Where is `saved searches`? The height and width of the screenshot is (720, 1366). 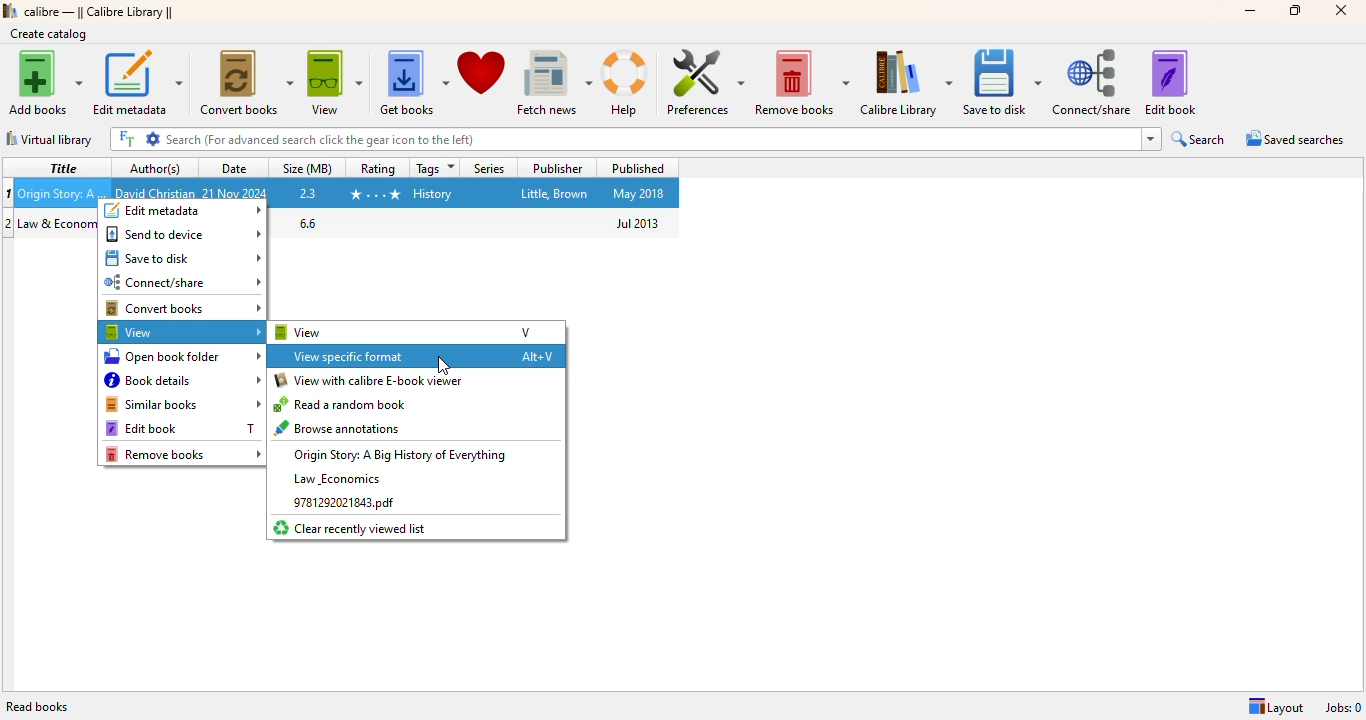
saved searches is located at coordinates (1296, 137).